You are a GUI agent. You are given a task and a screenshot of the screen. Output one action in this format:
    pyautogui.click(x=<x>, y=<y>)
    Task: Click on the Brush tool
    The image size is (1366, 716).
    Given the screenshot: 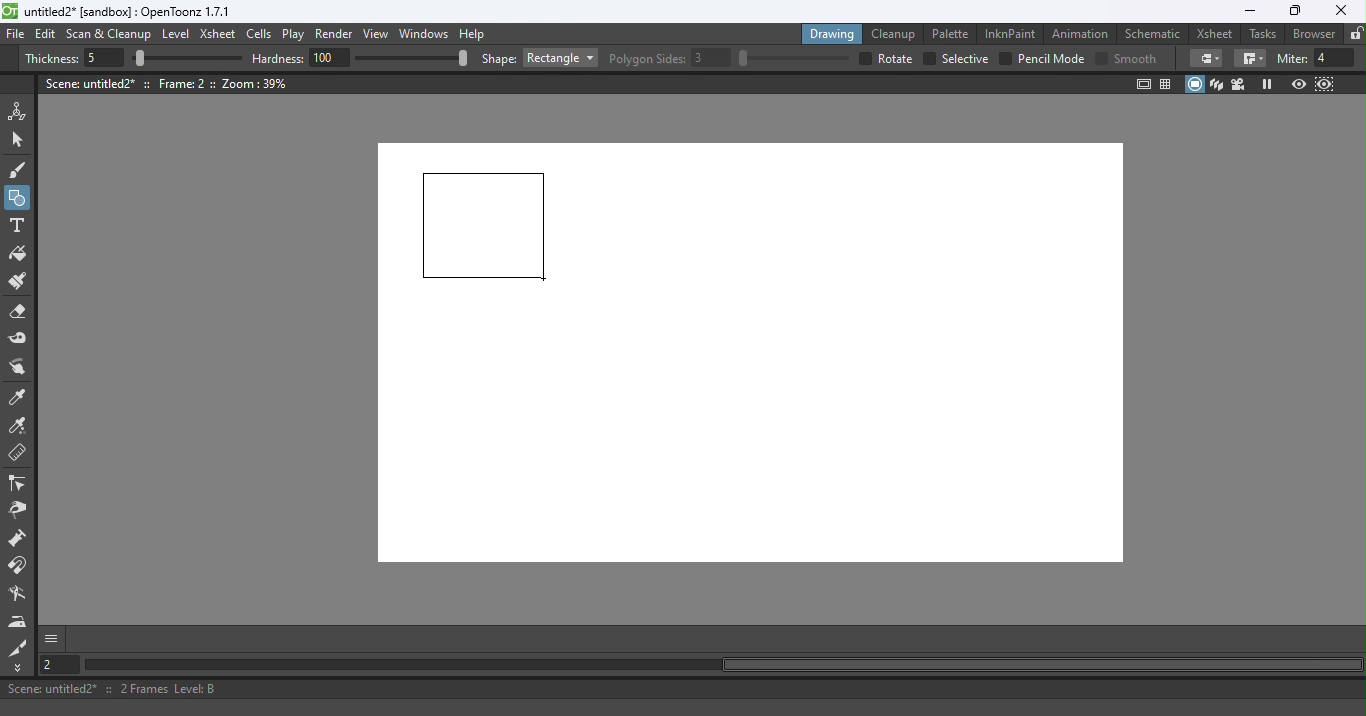 What is the action you would take?
    pyautogui.click(x=22, y=169)
    